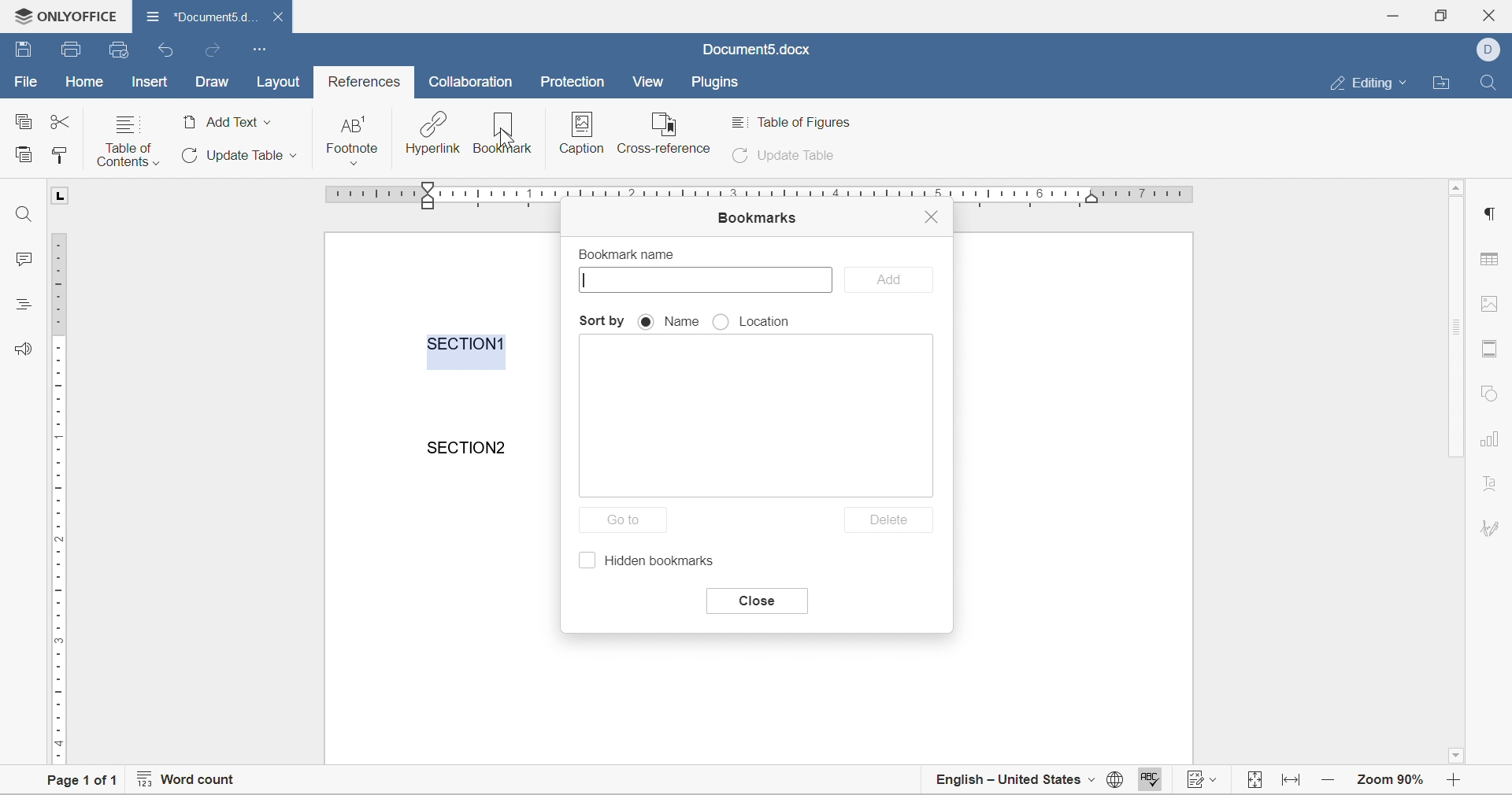  What do you see at coordinates (72, 50) in the screenshot?
I see `save` at bounding box center [72, 50].